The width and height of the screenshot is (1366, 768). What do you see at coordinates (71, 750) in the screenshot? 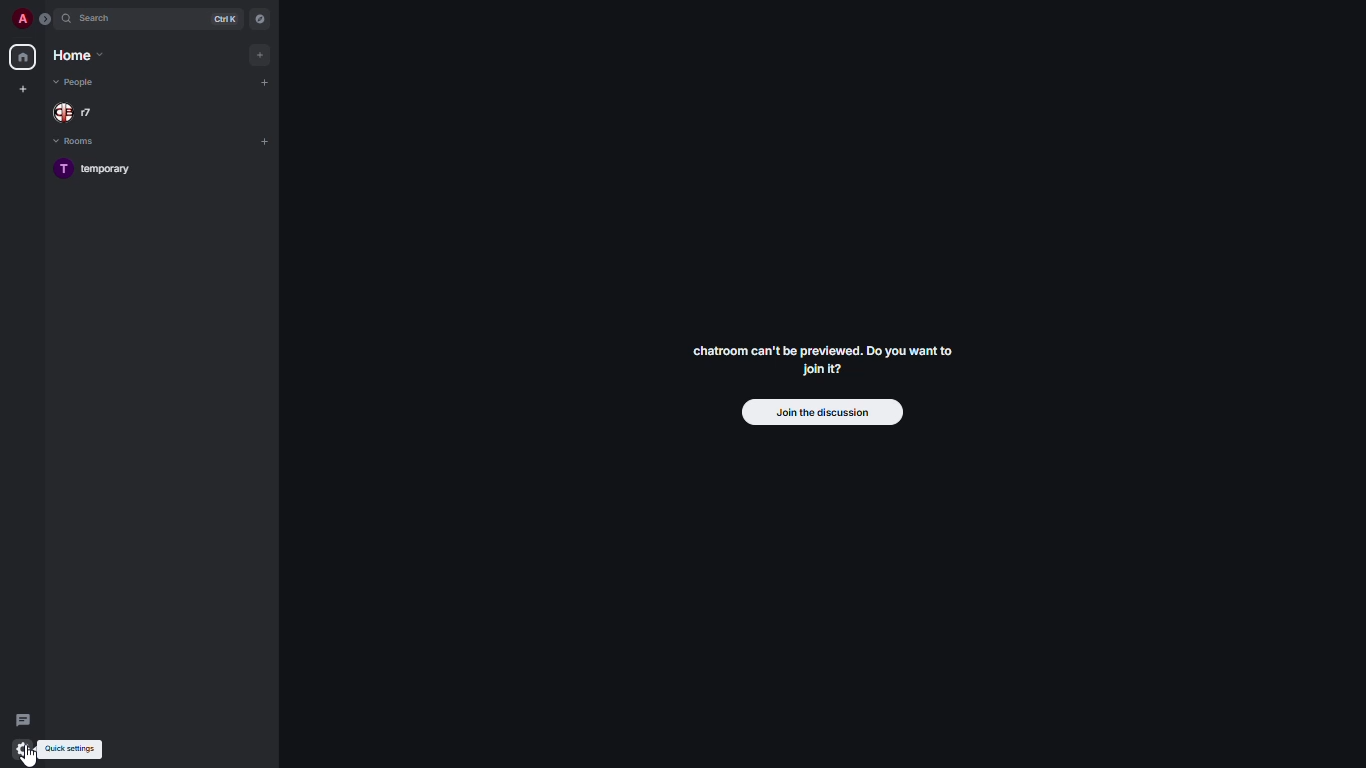
I see `quick settings` at bounding box center [71, 750].